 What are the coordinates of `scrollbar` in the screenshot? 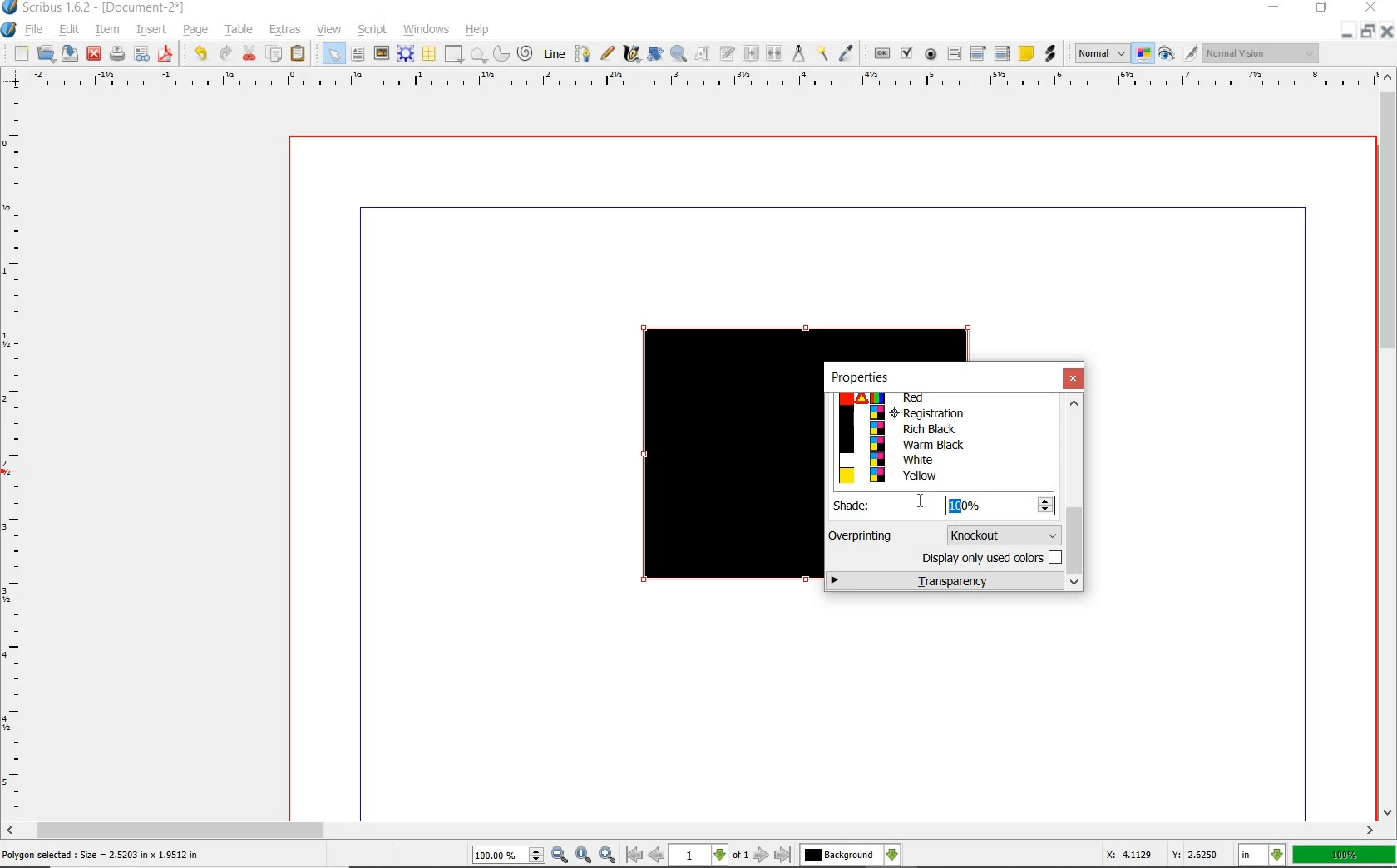 It's located at (691, 831).